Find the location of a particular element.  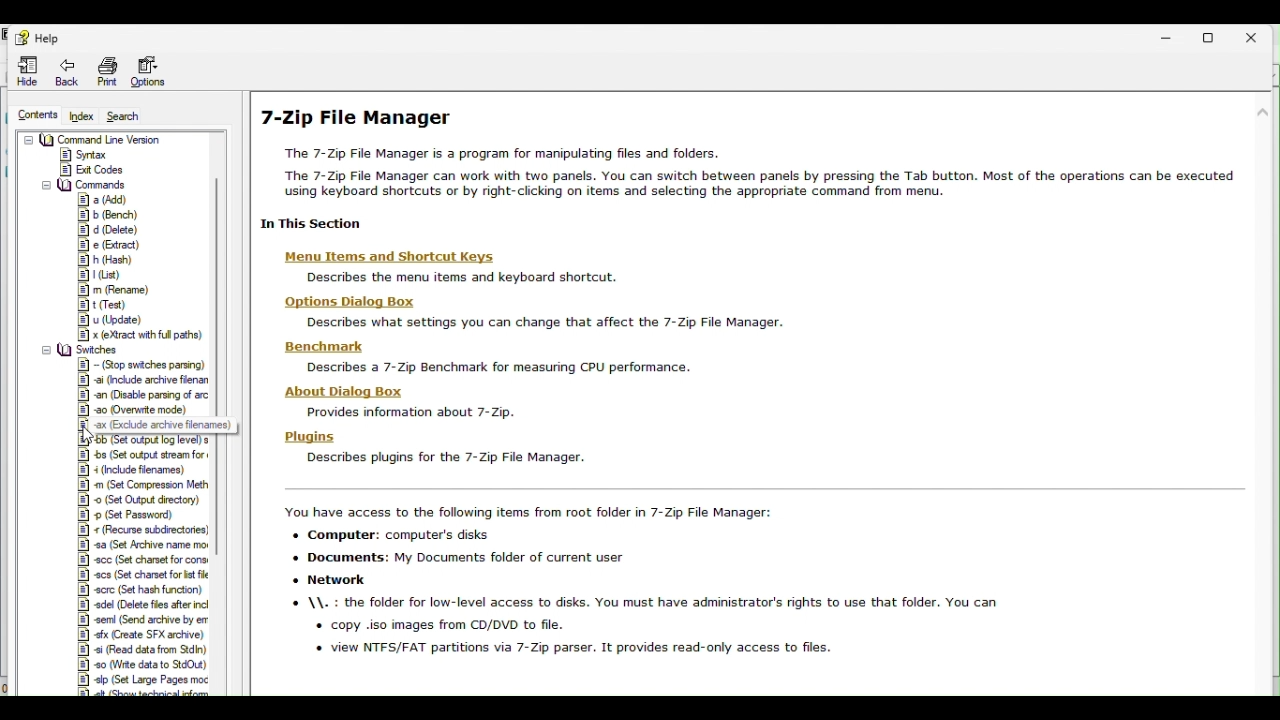

&] d (Delete) is located at coordinates (110, 231).